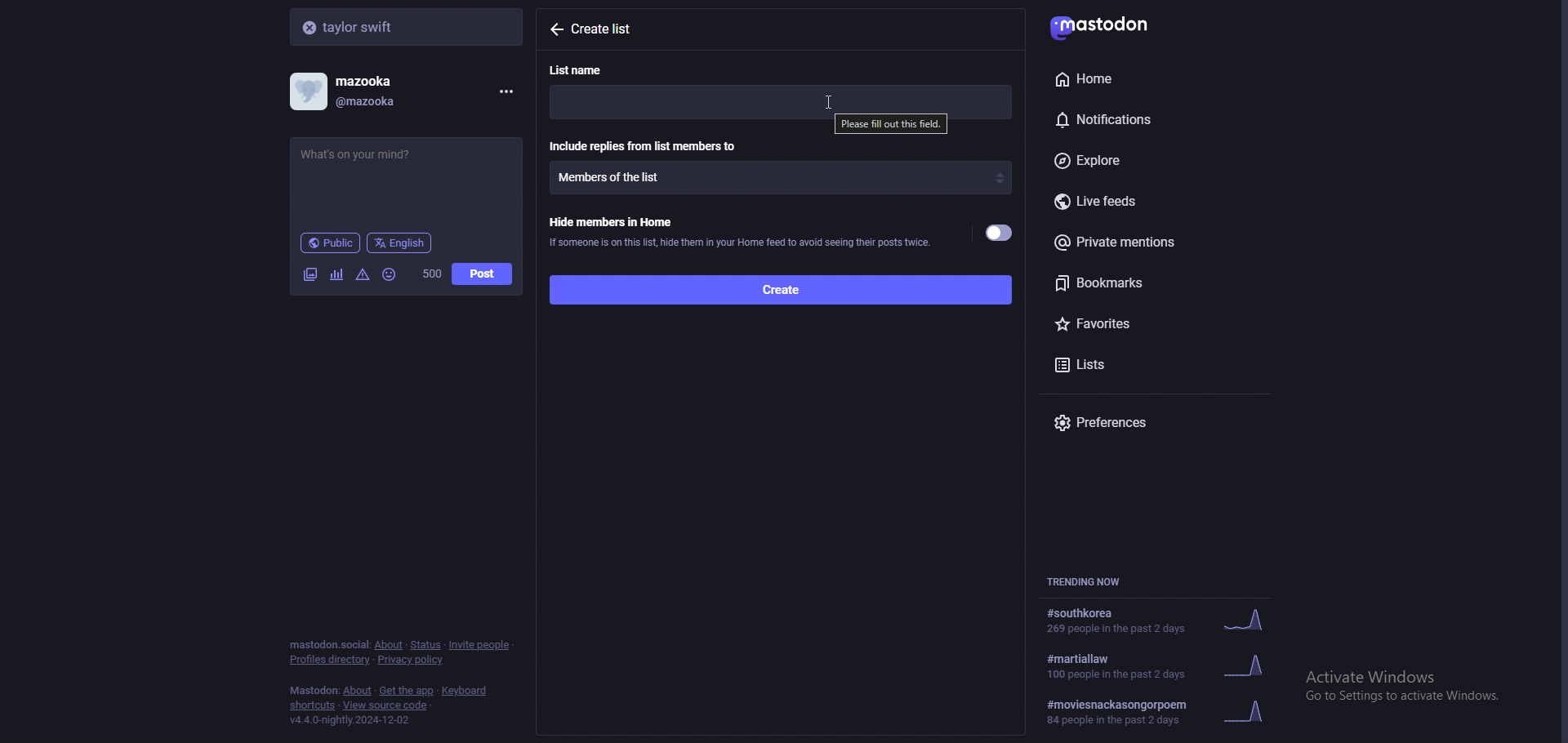  Describe the element at coordinates (388, 645) in the screenshot. I see `about` at that location.